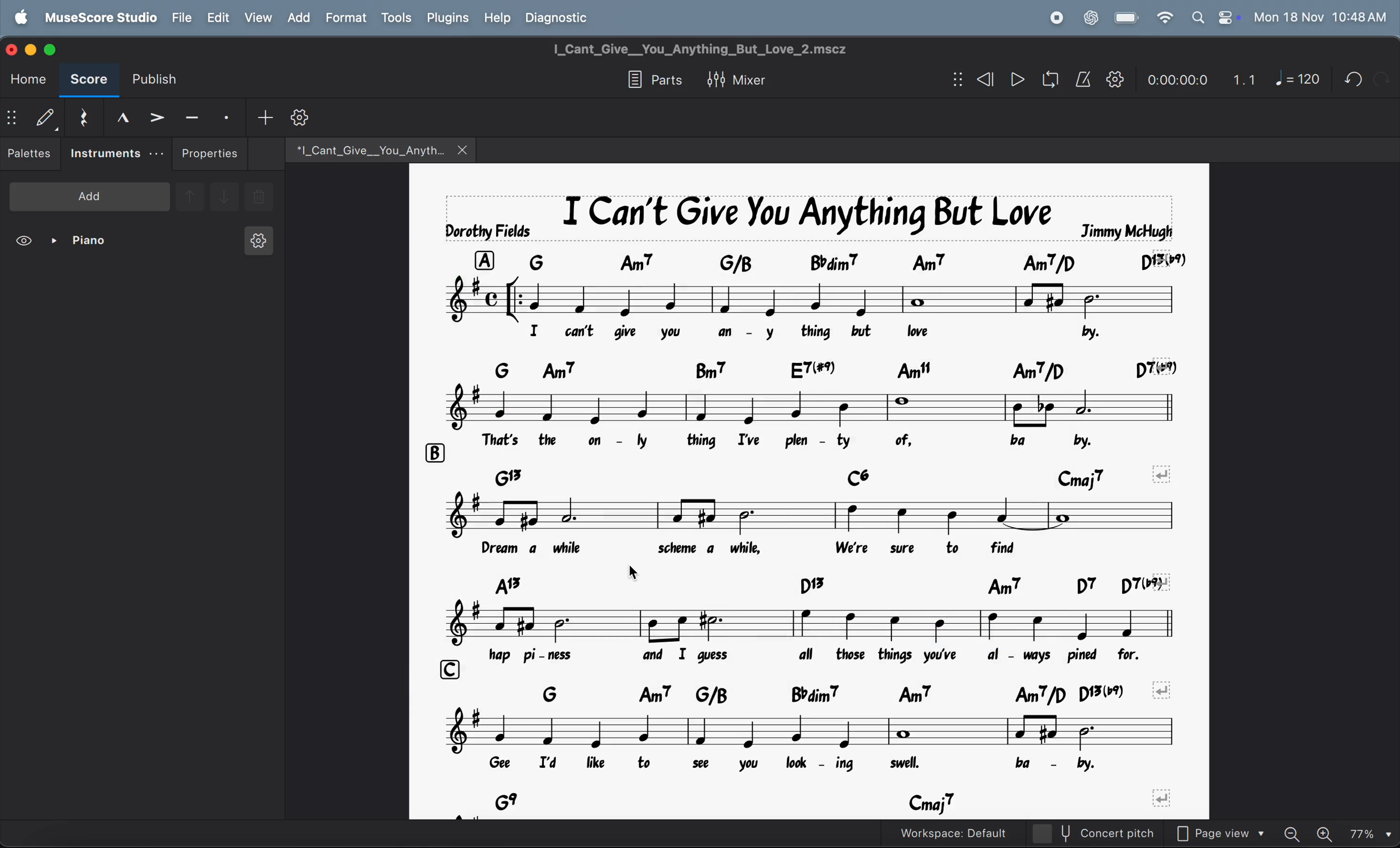 The image size is (1400, 848). Describe the element at coordinates (563, 17) in the screenshot. I see `diagnostic` at that location.